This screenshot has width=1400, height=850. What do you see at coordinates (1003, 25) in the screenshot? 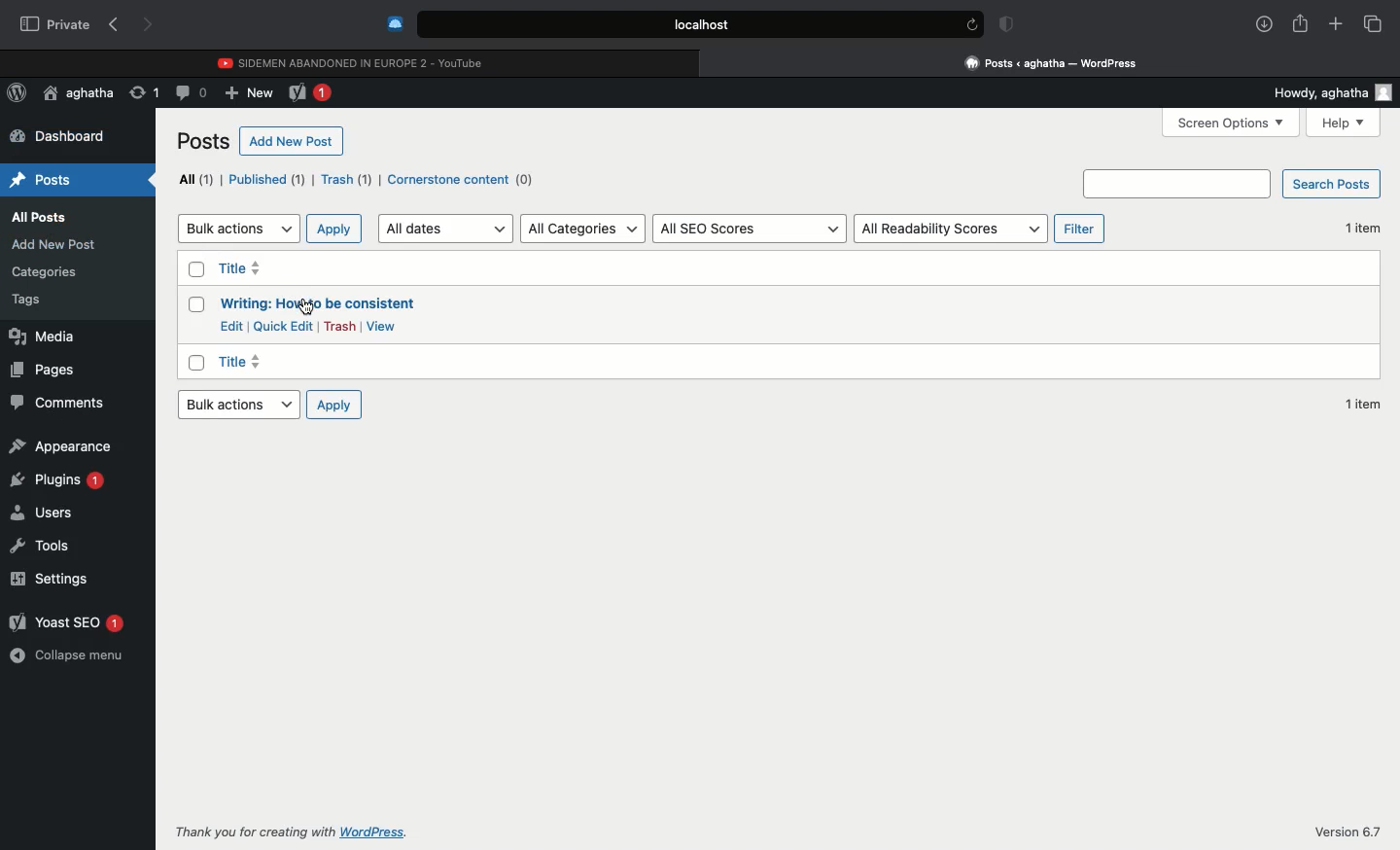
I see `Badge` at bounding box center [1003, 25].